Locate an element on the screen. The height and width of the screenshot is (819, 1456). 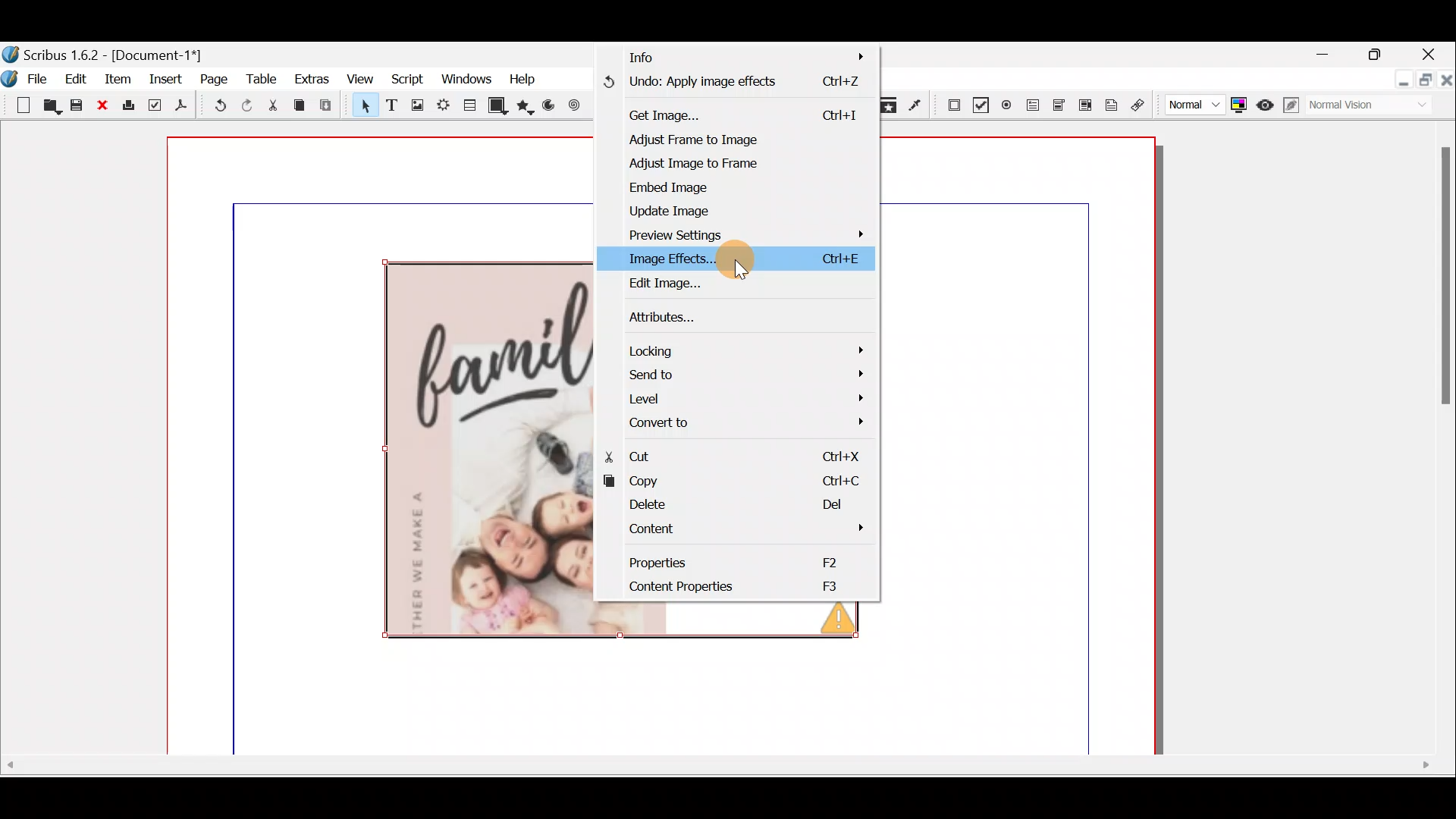
Convert to is located at coordinates (750, 422).